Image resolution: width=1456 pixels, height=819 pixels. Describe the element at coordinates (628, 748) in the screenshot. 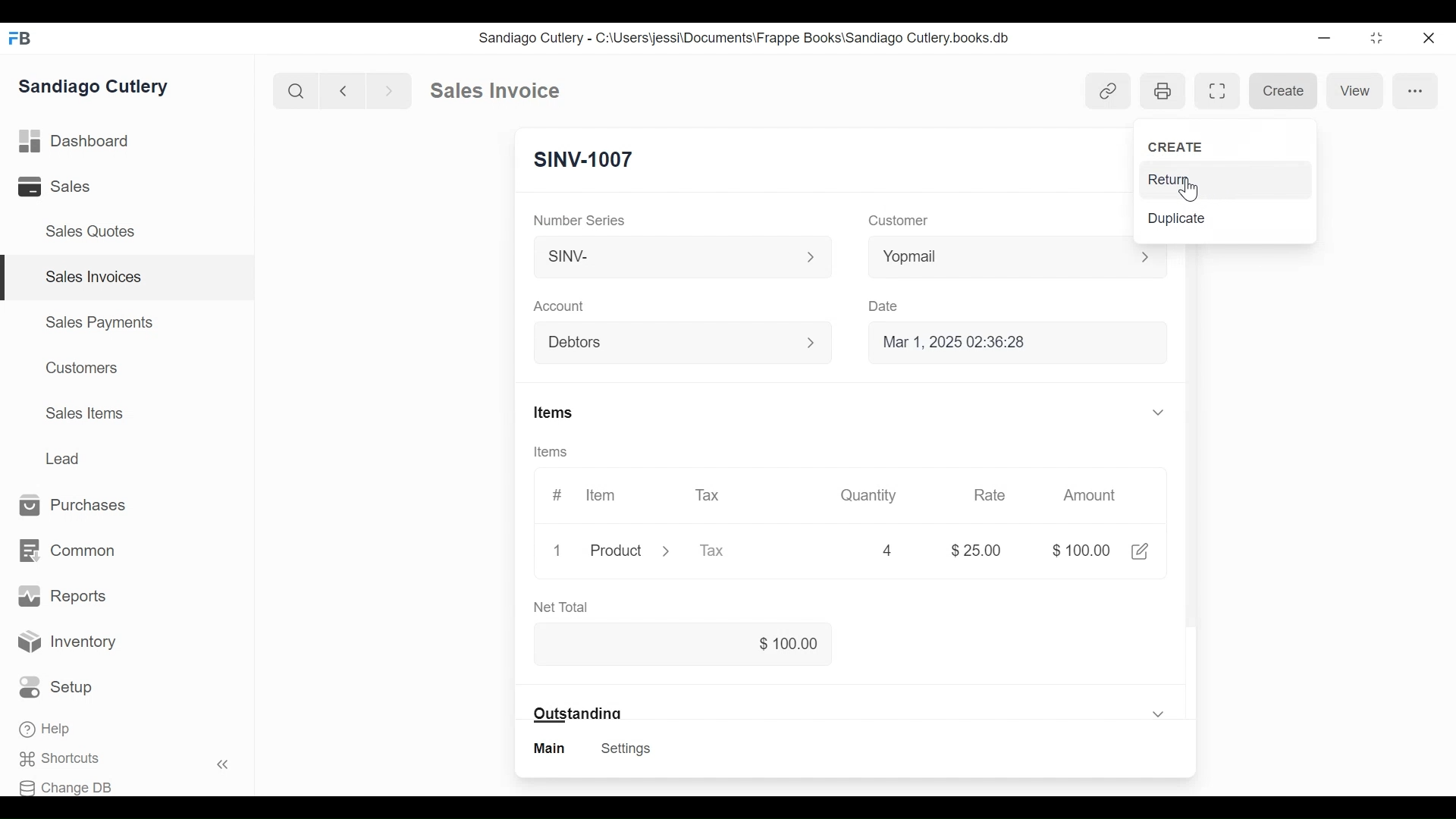

I see `Settings` at that location.